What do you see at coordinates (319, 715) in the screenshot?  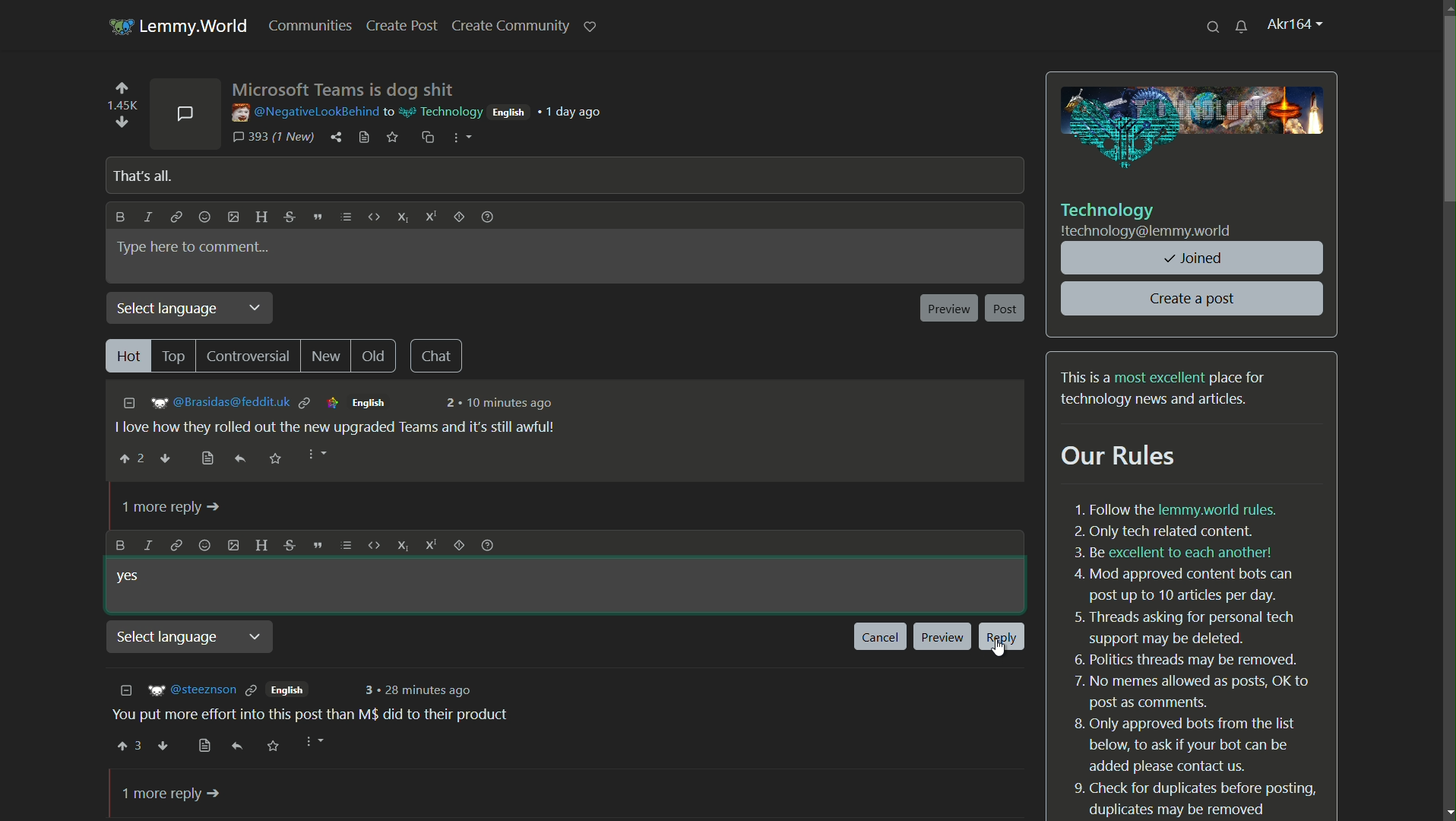 I see `comment-2` at bounding box center [319, 715].